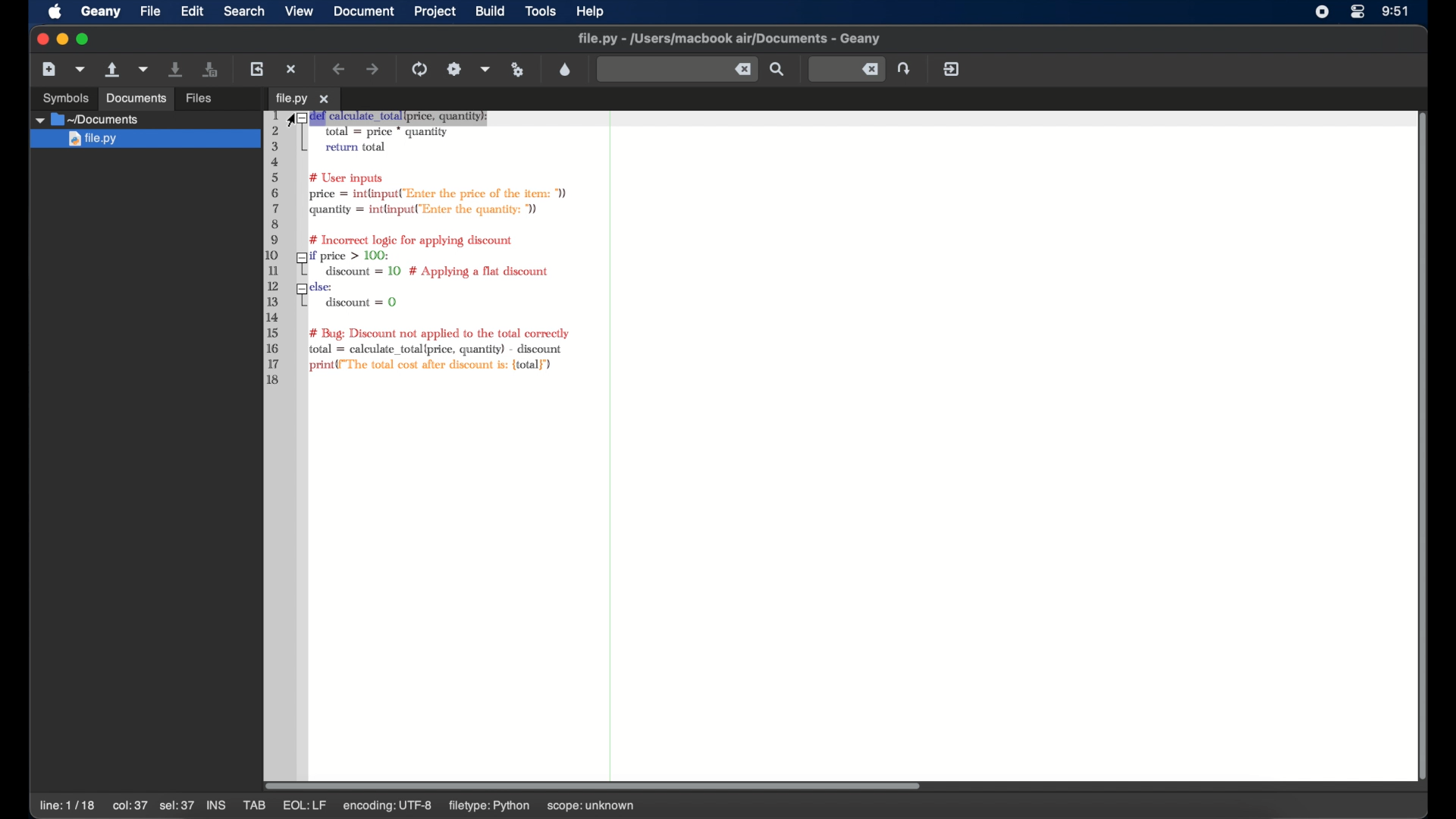 This screenshot has height=819, width=1456. I want to click on ins, so click(215, 804).